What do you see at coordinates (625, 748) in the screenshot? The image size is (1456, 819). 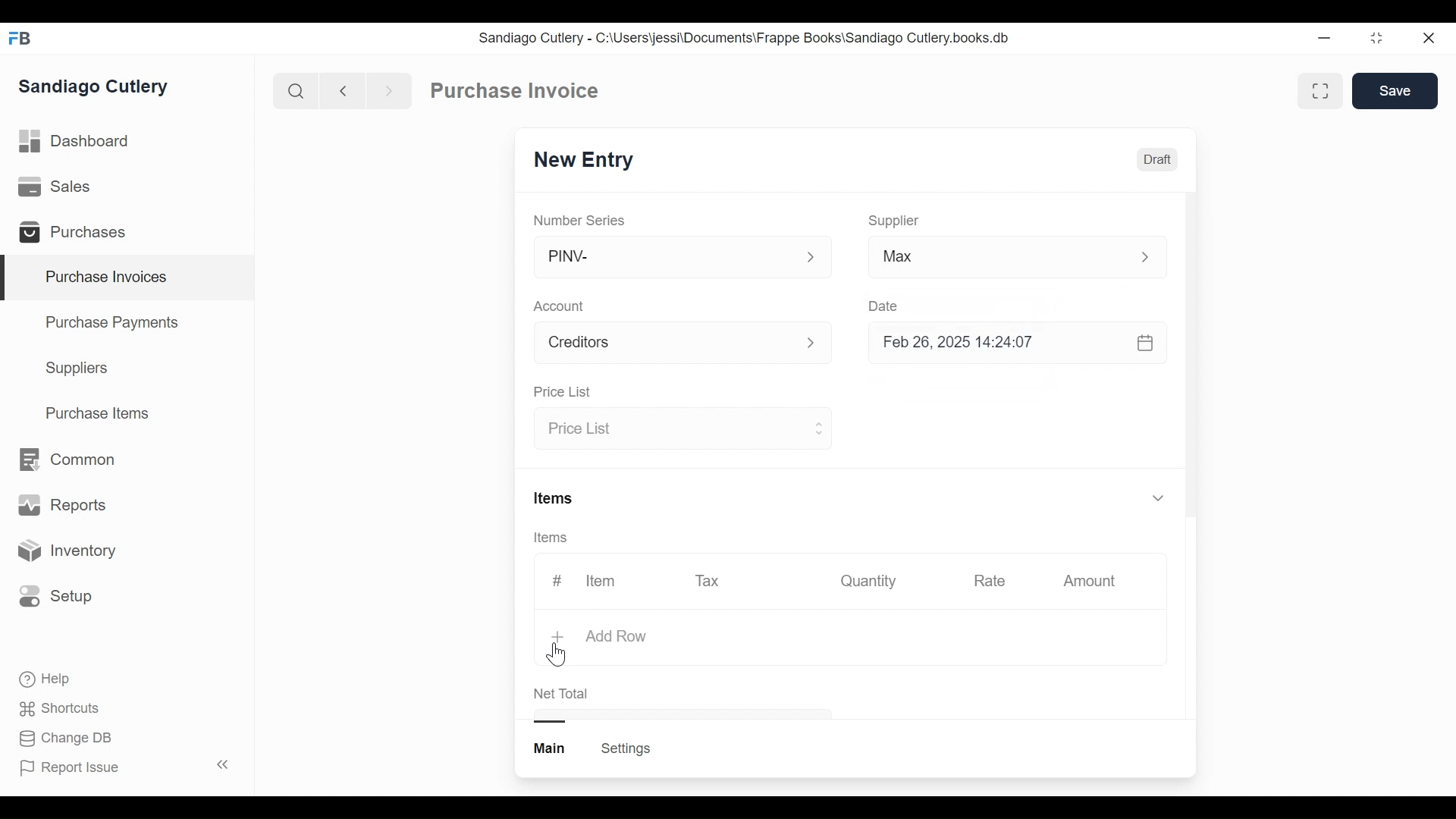 I see `Settings` at bounding box center [625, 748].